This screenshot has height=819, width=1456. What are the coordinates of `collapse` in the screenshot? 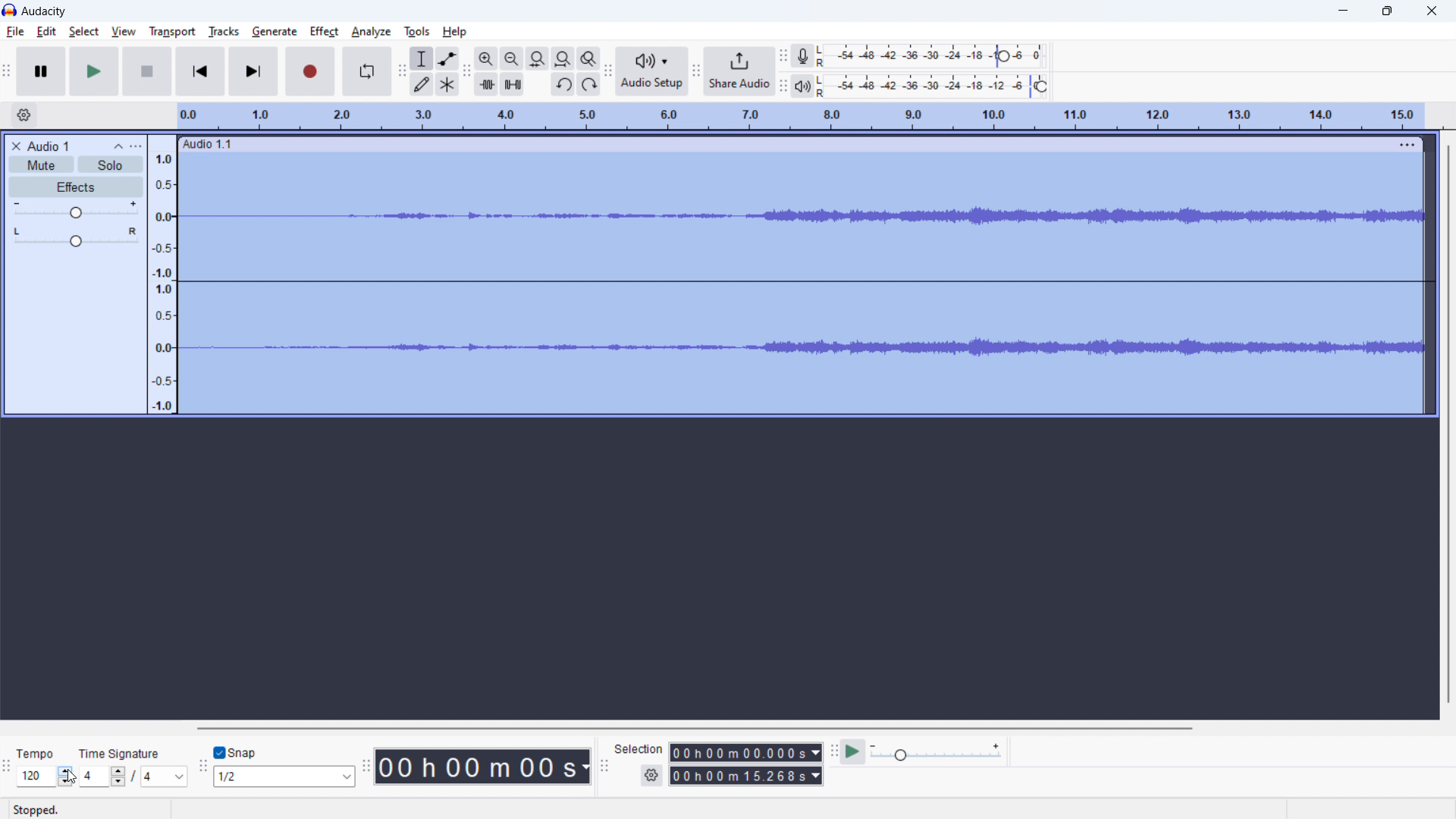 It's located at (118, 145).